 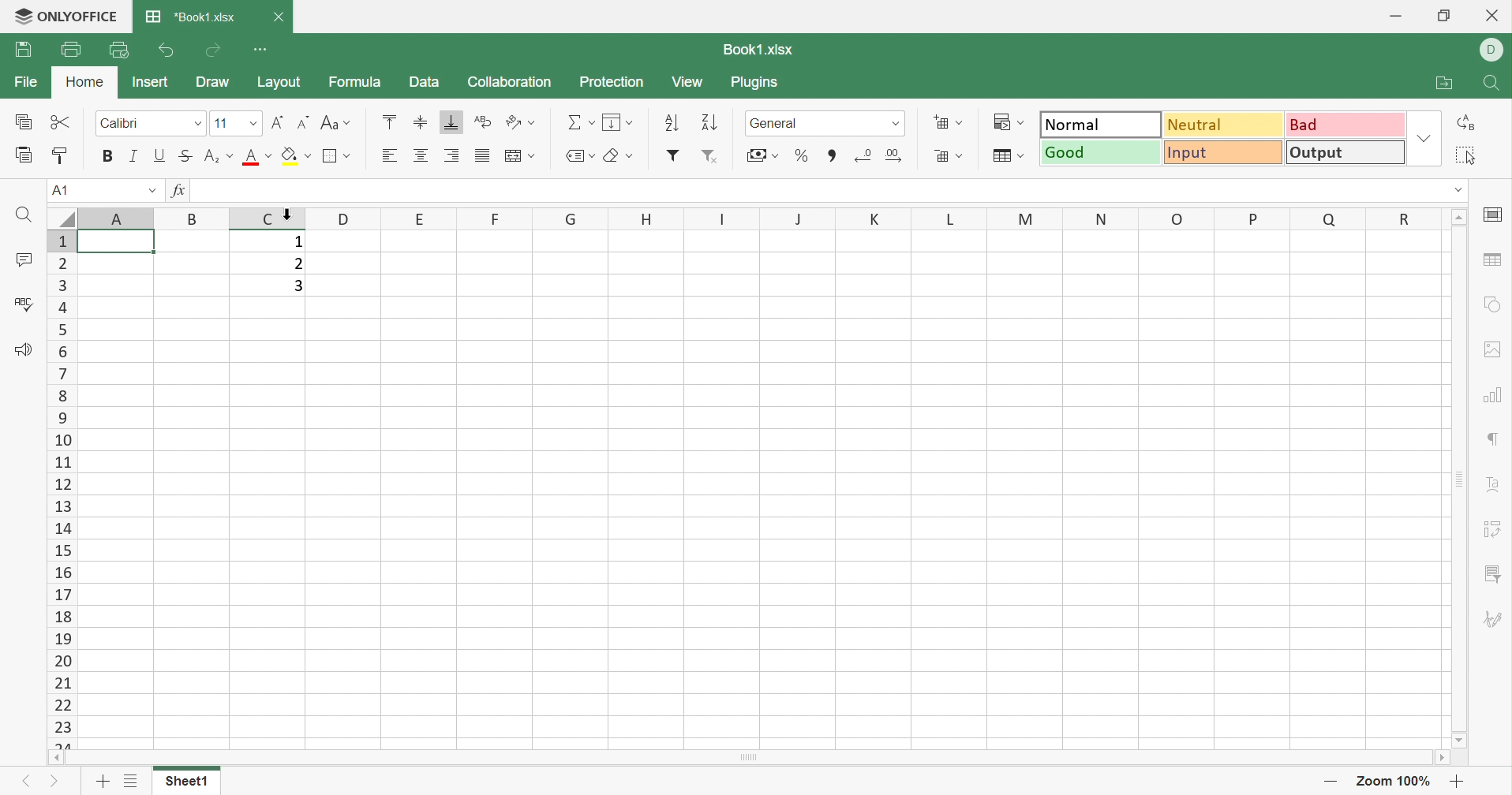 I want to click on Underline, so click(x=159, y=156).